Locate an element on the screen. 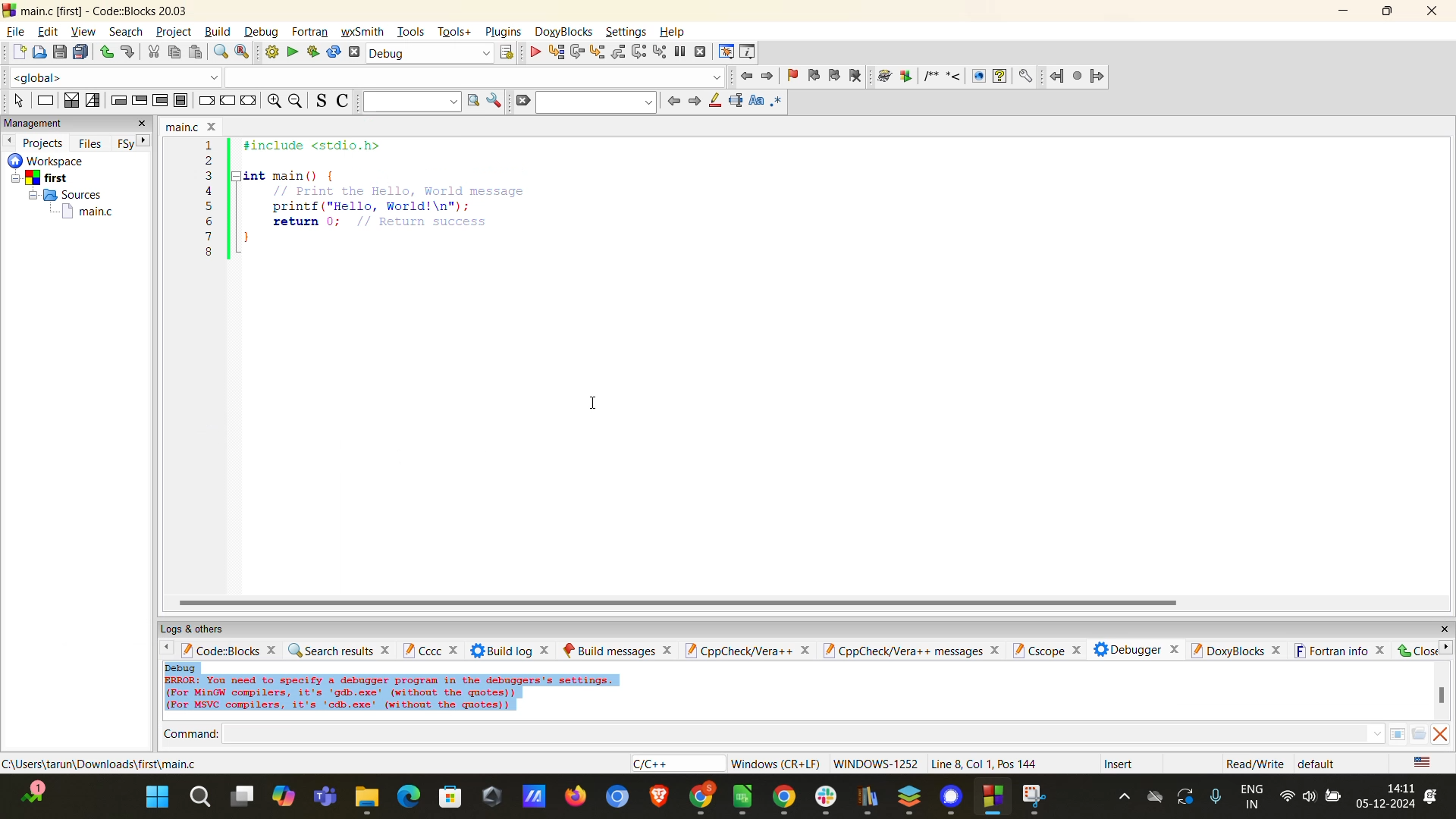 The width and height of the screenshot is (1456, 819). code is located at coordinates (393, 196).